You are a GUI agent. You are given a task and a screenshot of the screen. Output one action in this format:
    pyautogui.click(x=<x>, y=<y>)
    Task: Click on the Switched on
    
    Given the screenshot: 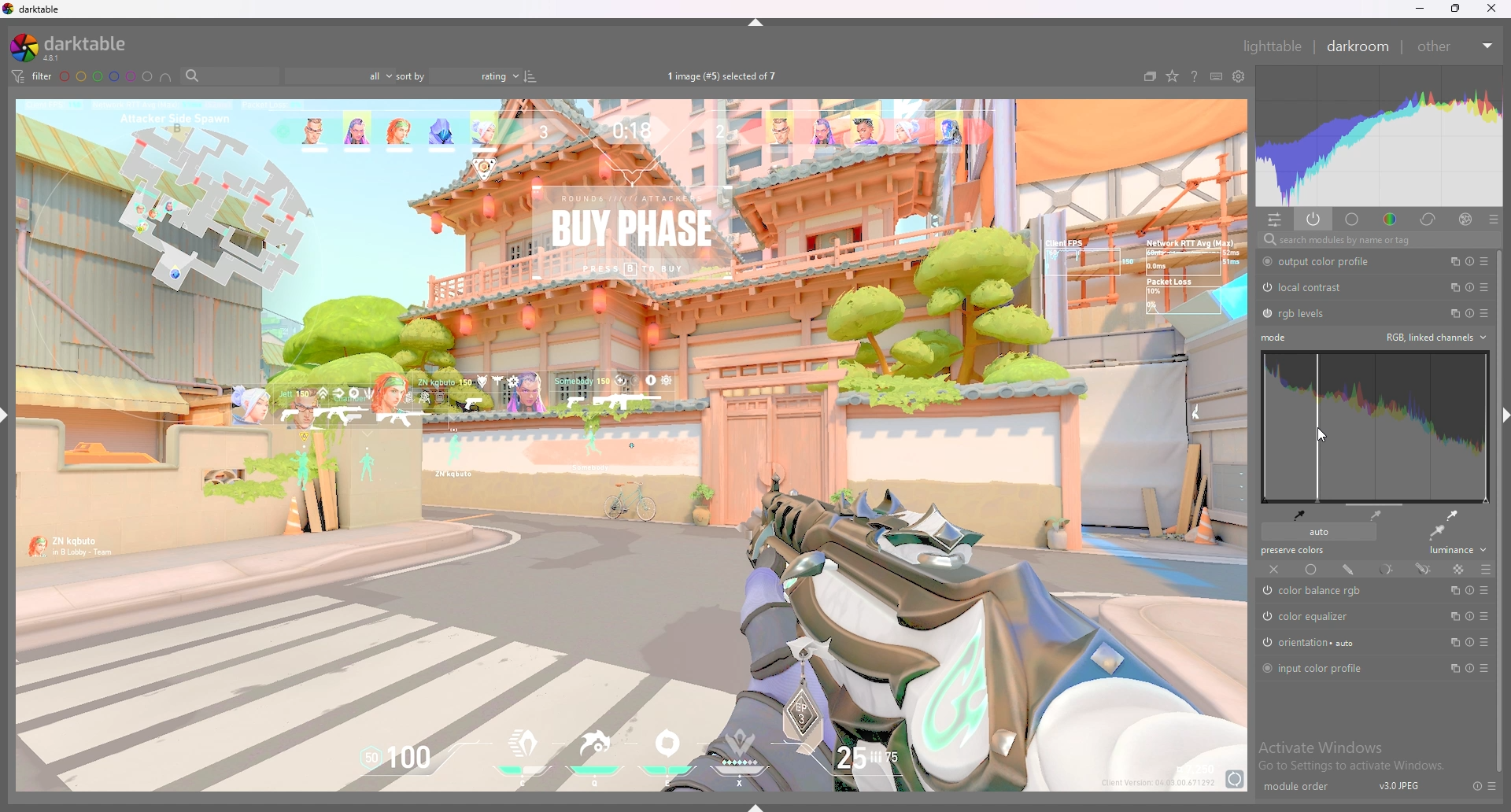 What is the action you would take?
    pyautogui.click(x=1264, y=643)
    